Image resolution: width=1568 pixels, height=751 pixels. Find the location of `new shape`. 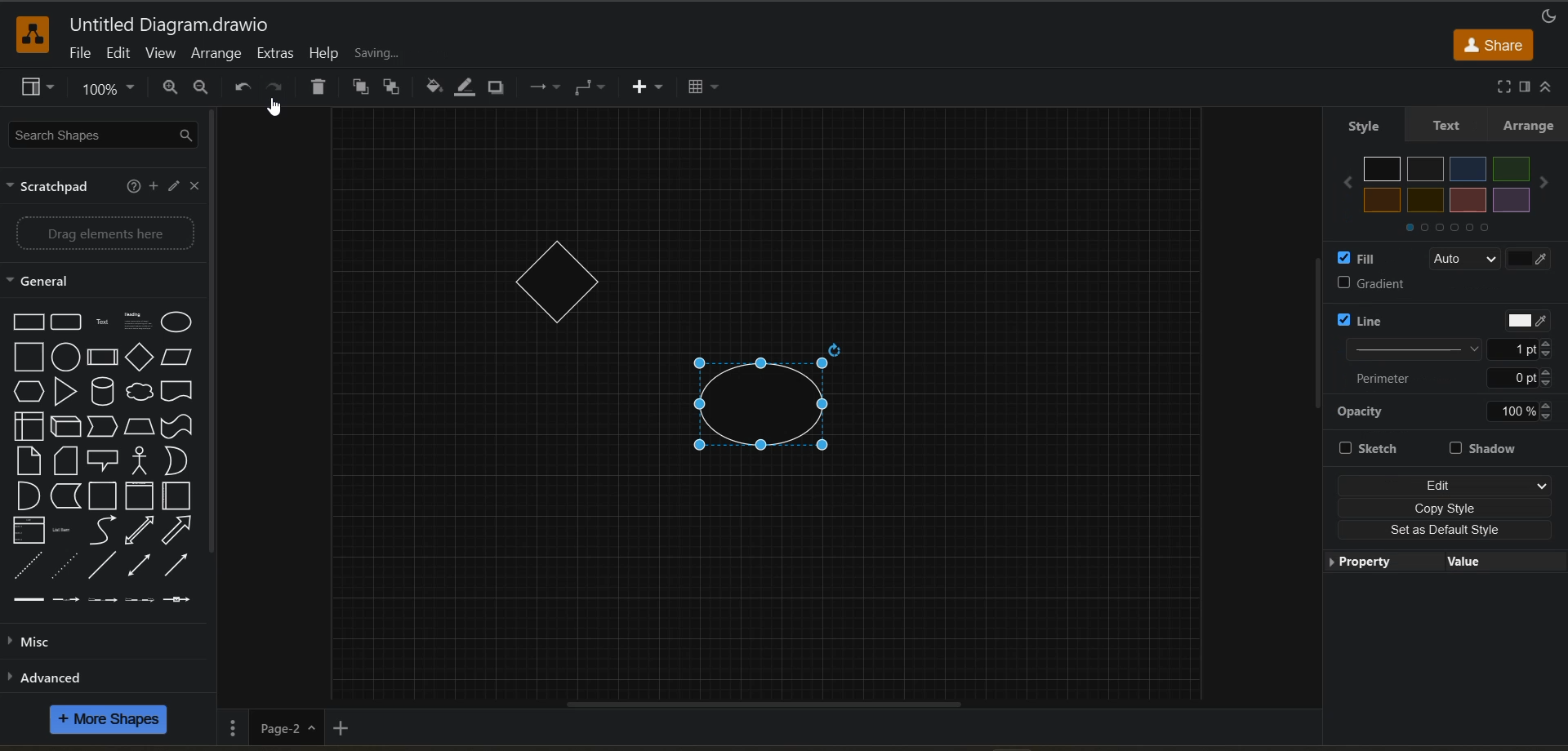

new shape is located at coordinates (768, 403).